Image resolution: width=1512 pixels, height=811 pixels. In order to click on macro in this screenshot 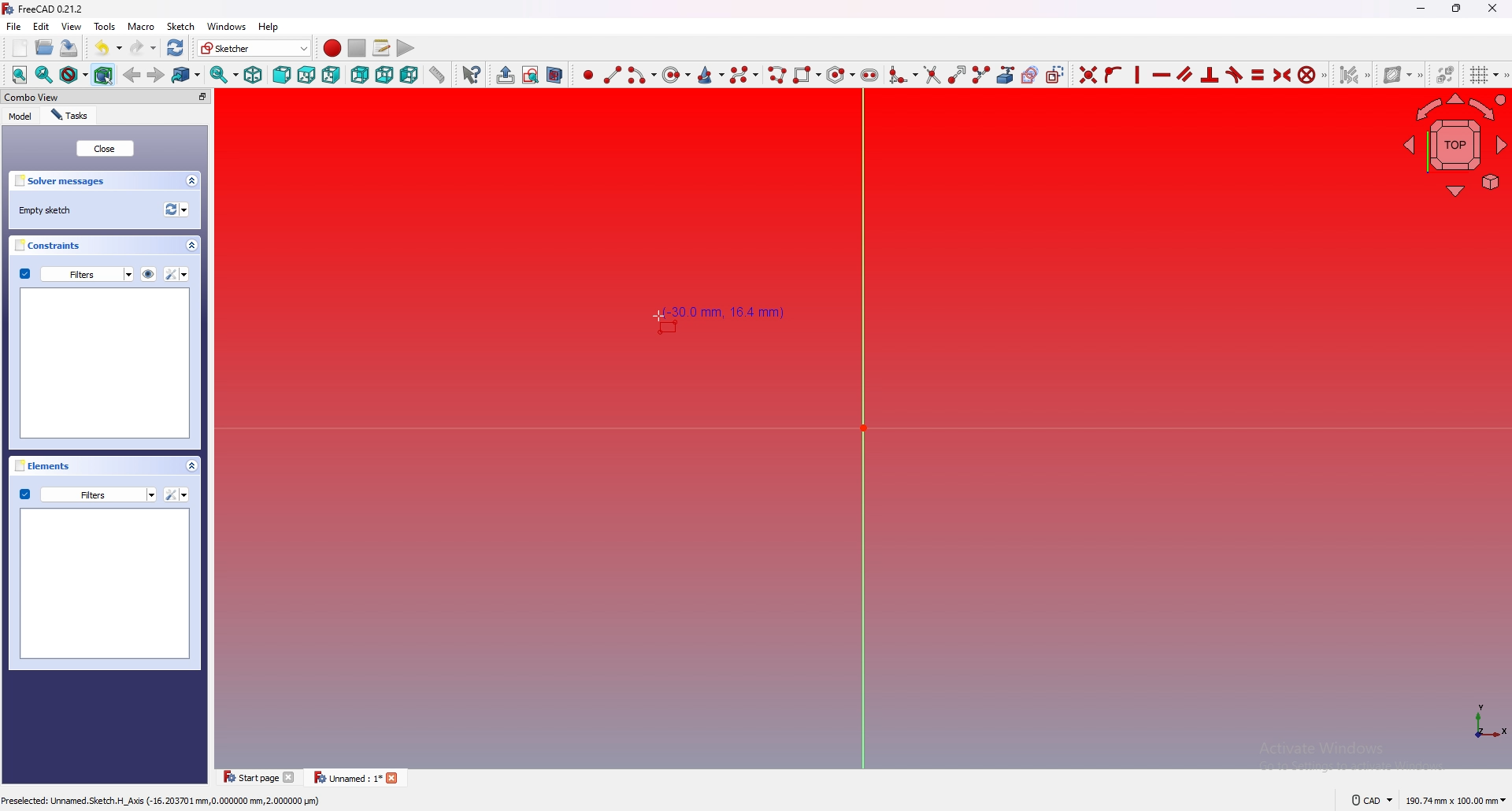, I will do `click(140, 25)`.